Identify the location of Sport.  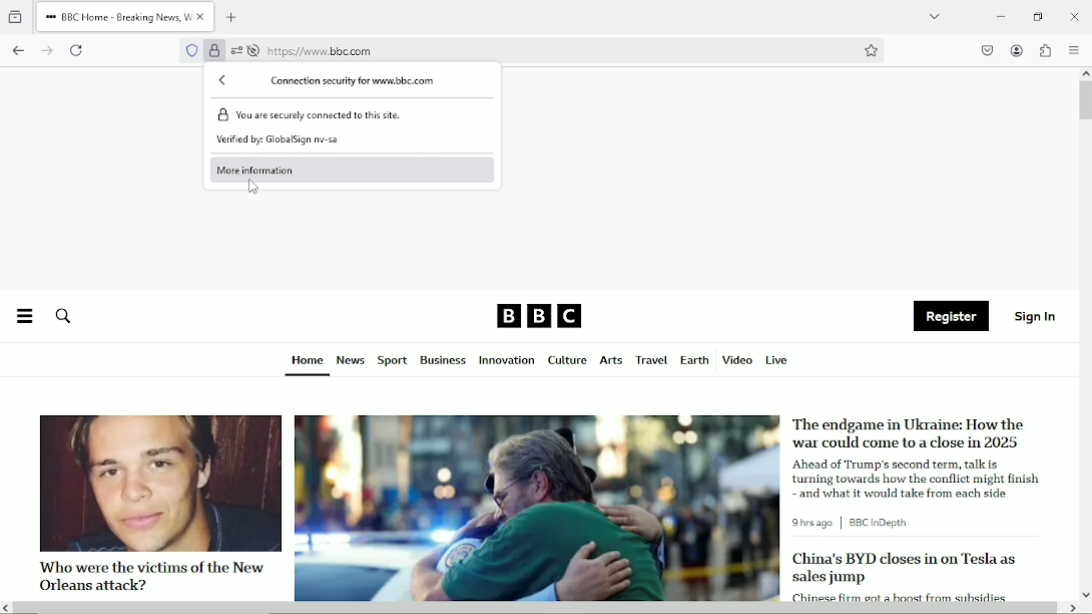
(392, 361).